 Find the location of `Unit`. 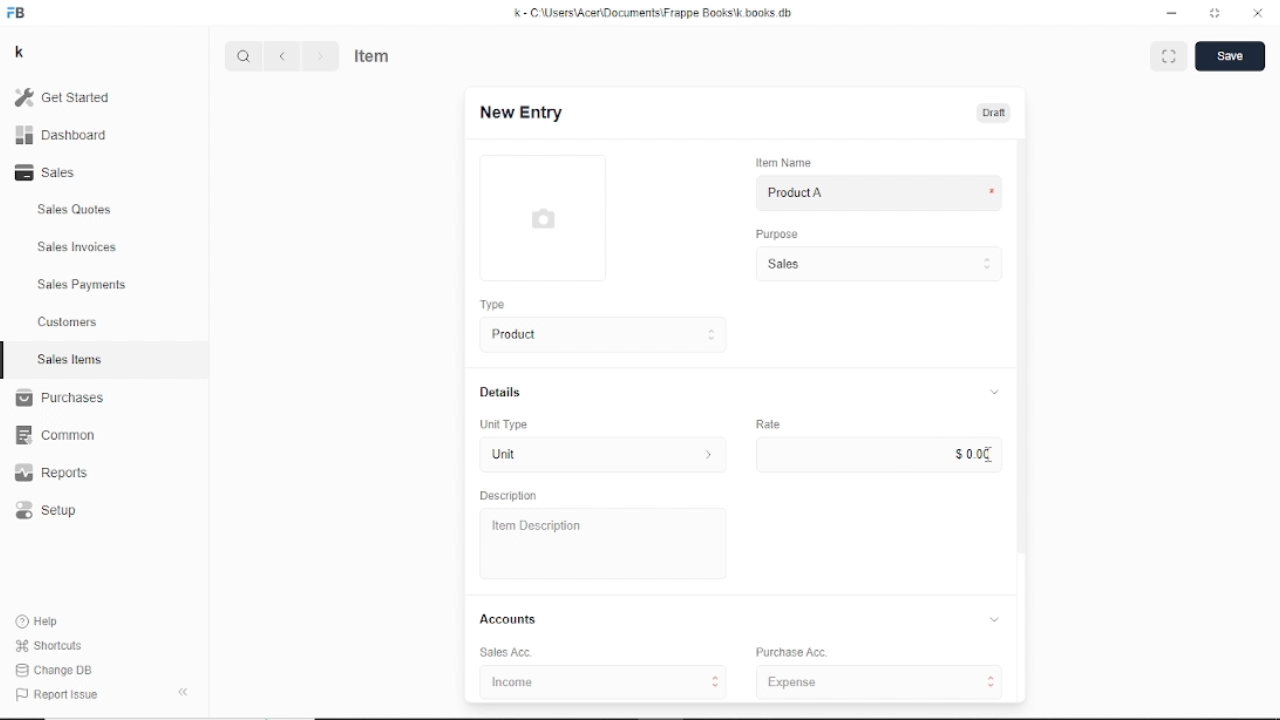

Unit is located at coordinates (598, 456).